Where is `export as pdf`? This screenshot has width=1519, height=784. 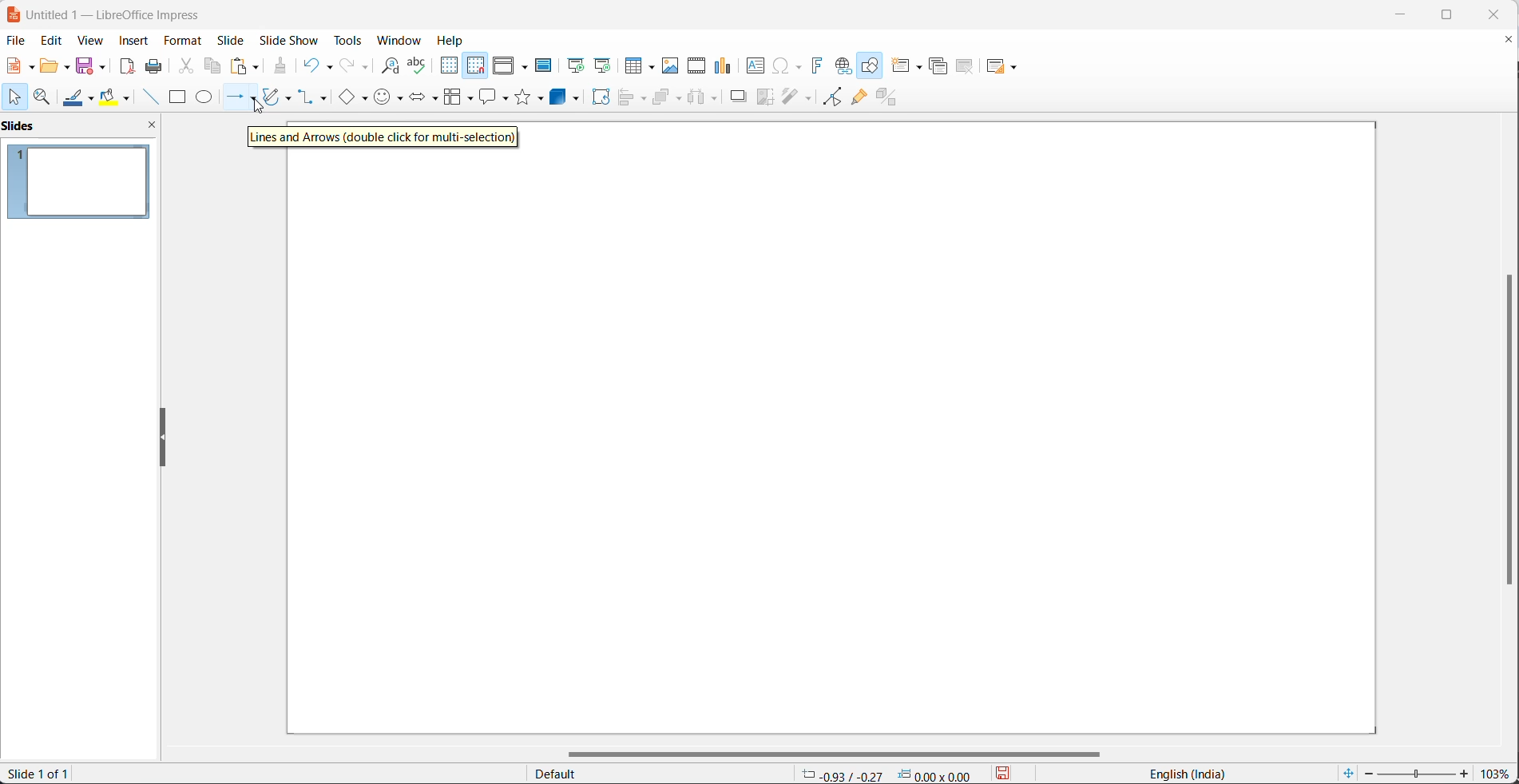
export as pdf is located at coordinates (129, 68).